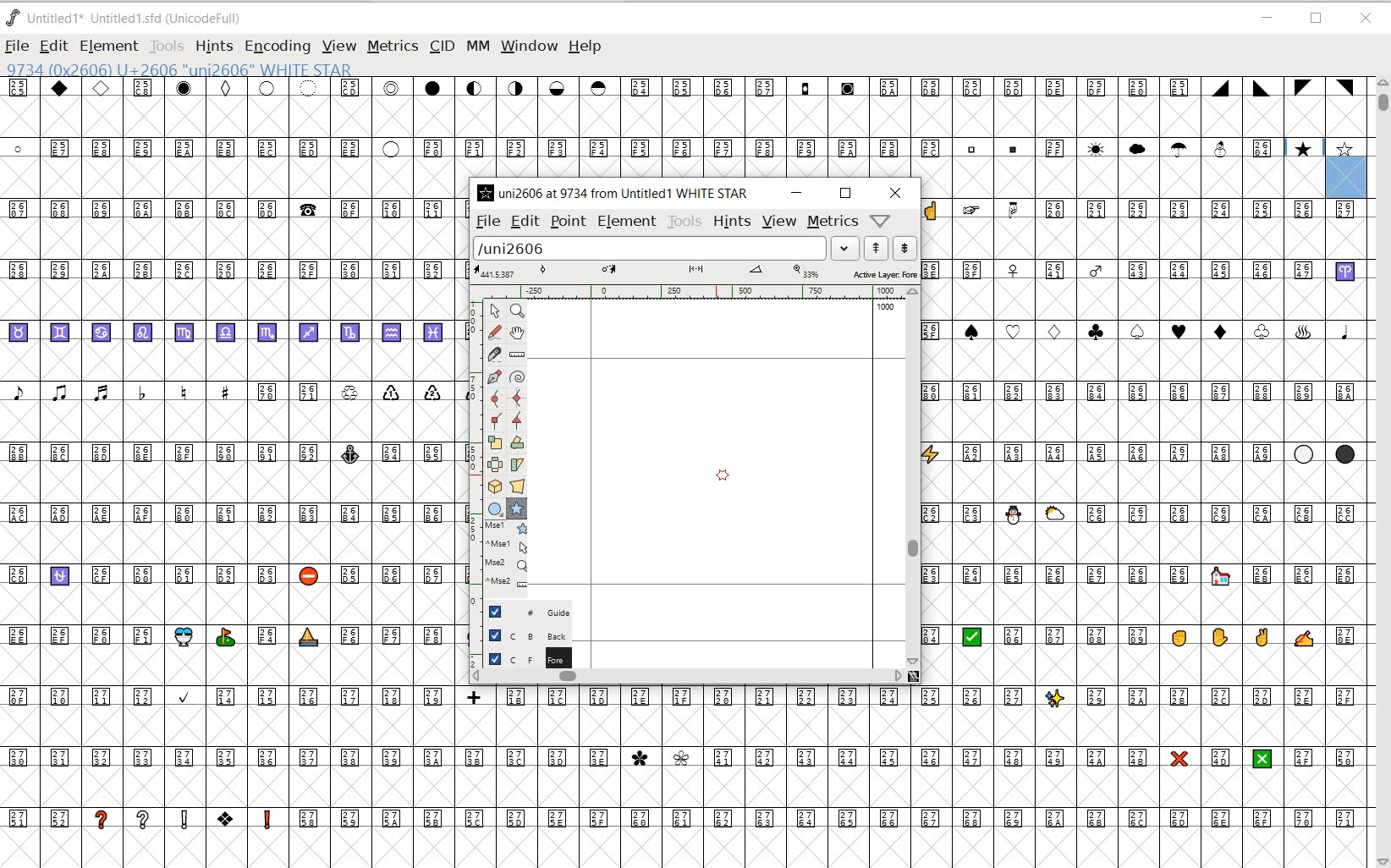 The width and height of the screenshot is (1391, 868). What do you see at coordinates (587, 47) in the screenshot?
I see `HELP` at bounding box center [587, 47].